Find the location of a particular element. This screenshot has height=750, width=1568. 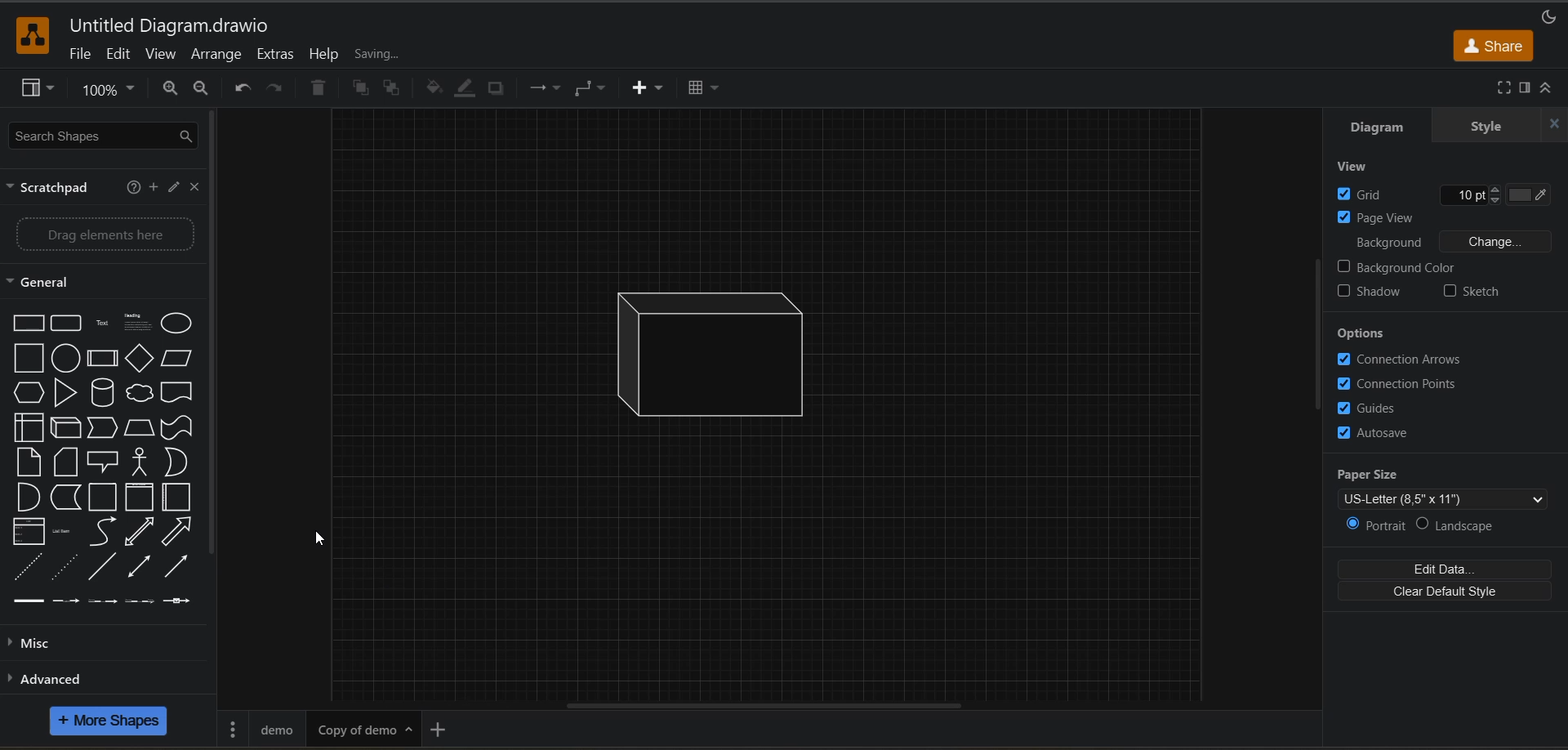

redo is located at coordinates (278, 88).